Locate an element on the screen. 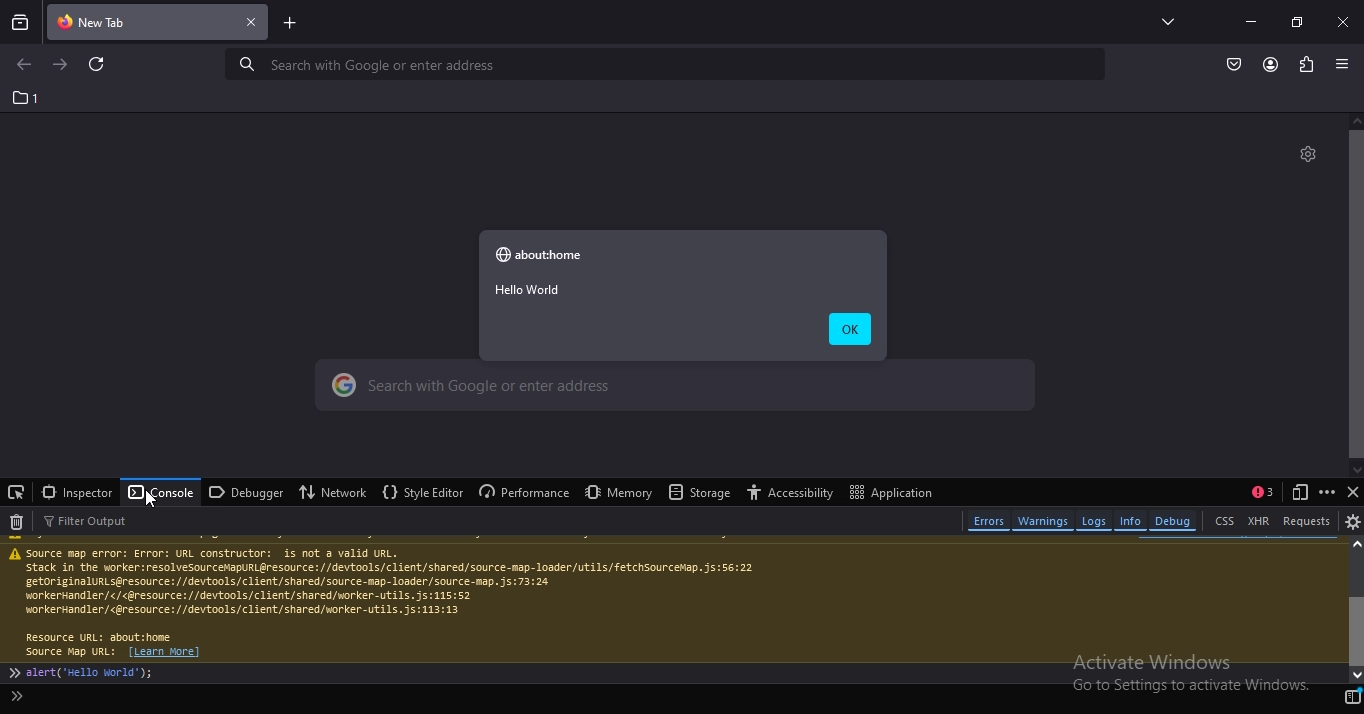  scroll bar is located at coordinates (1355, 297).